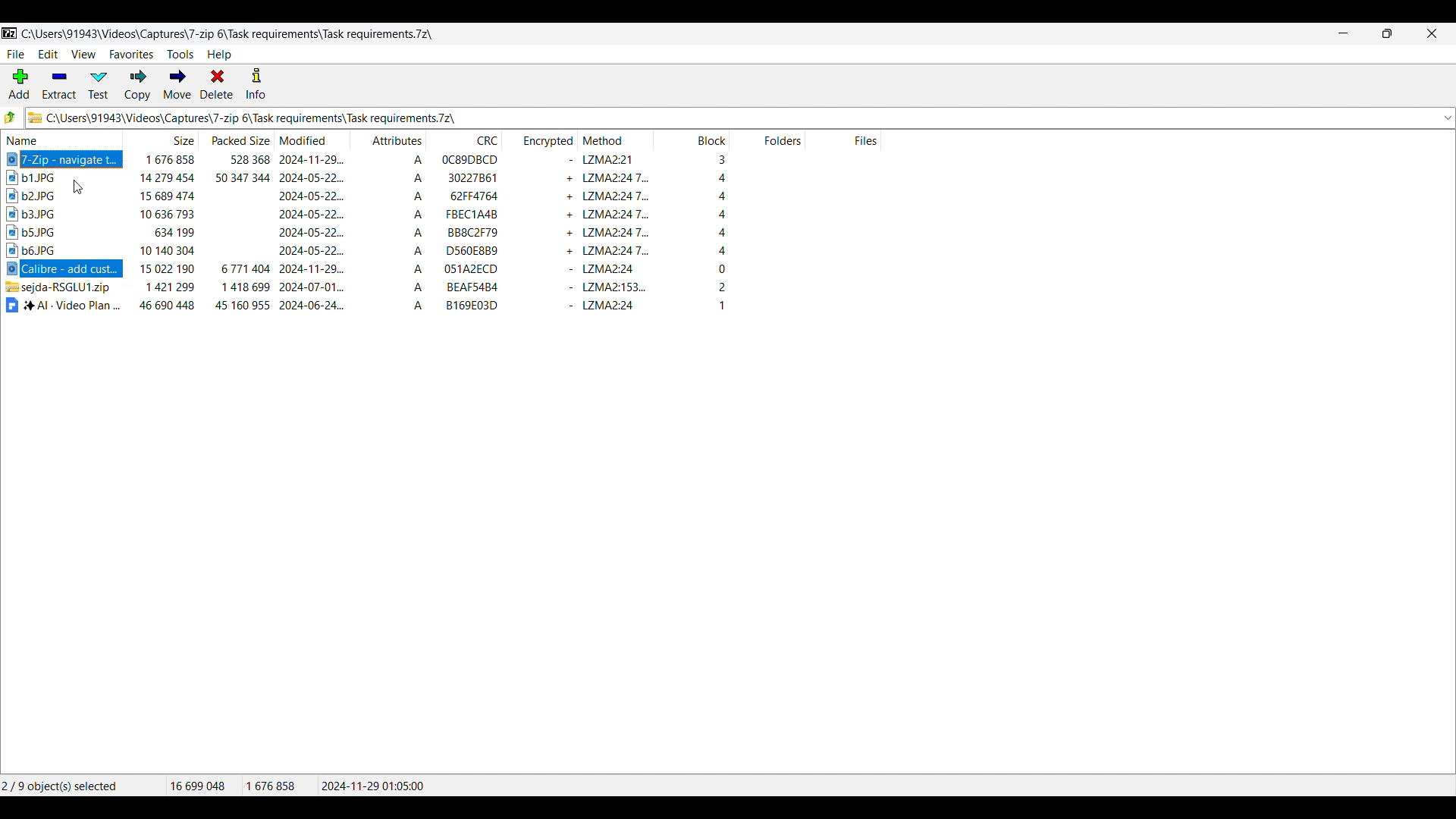  Describe the element at coordinates (843, 139) in the screenshot. I see `Files column` at that location.